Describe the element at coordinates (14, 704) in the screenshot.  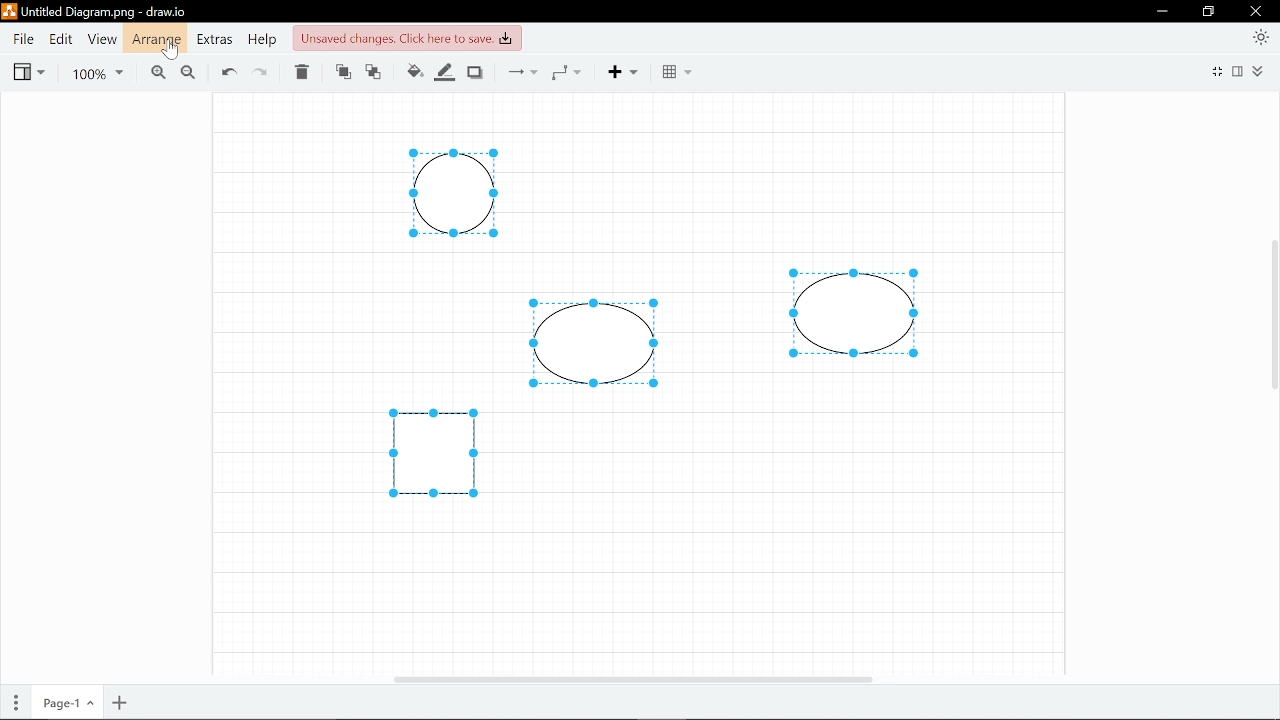
I see `Pages` at that location.